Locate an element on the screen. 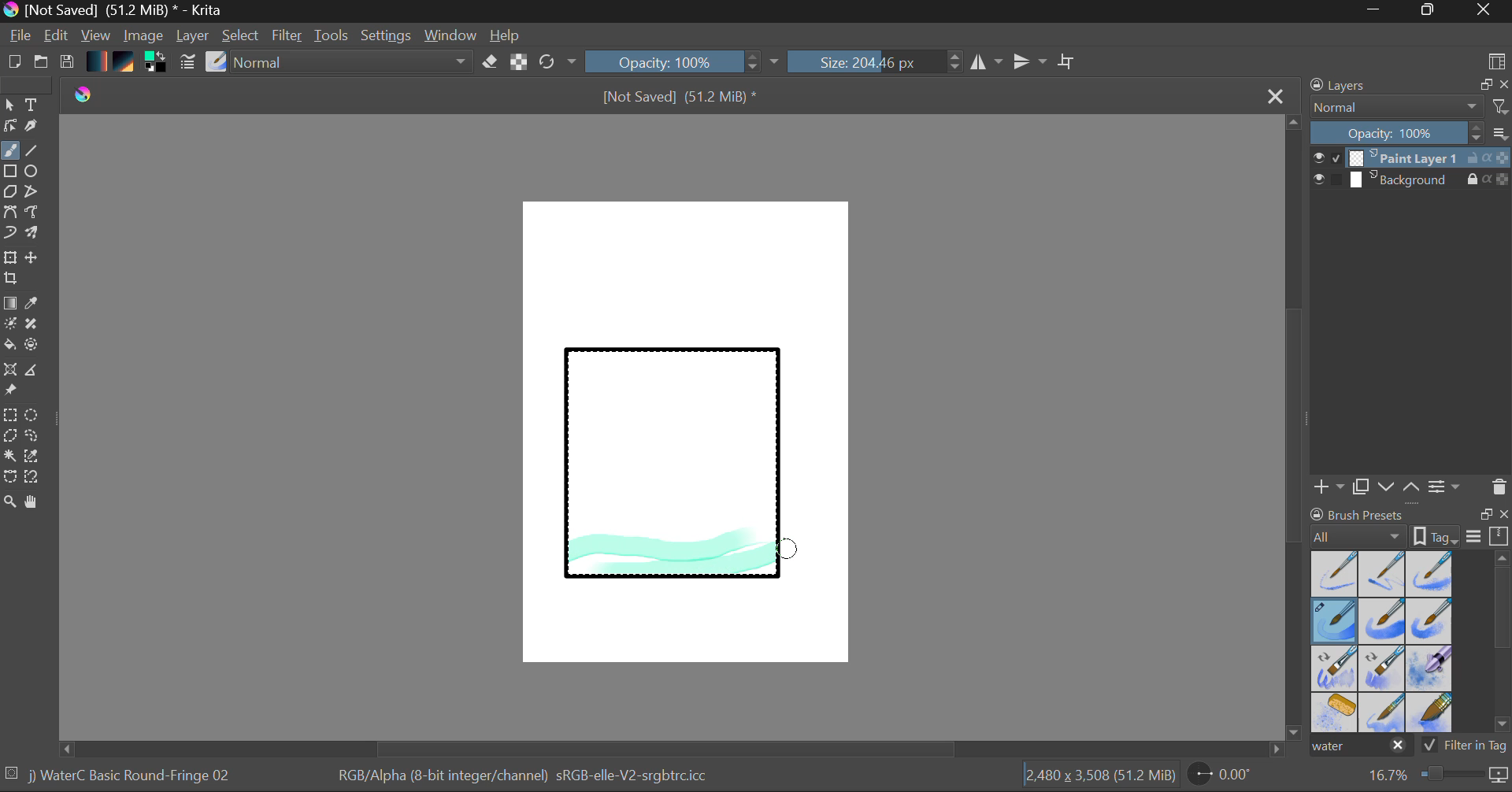  Water C - Wet is located at coordinates (1384, 574).